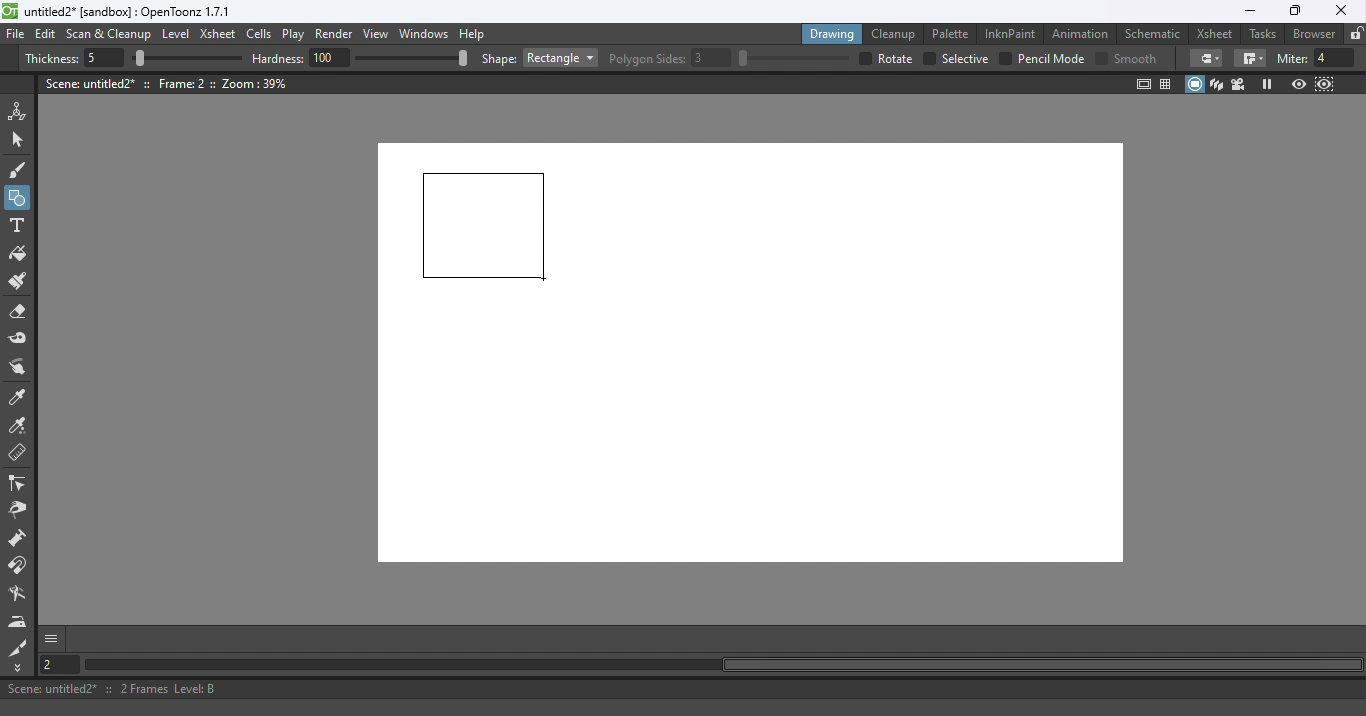 This screenshot has height=716, width=1366. I want to click on Canvas details, so click(169, 83).